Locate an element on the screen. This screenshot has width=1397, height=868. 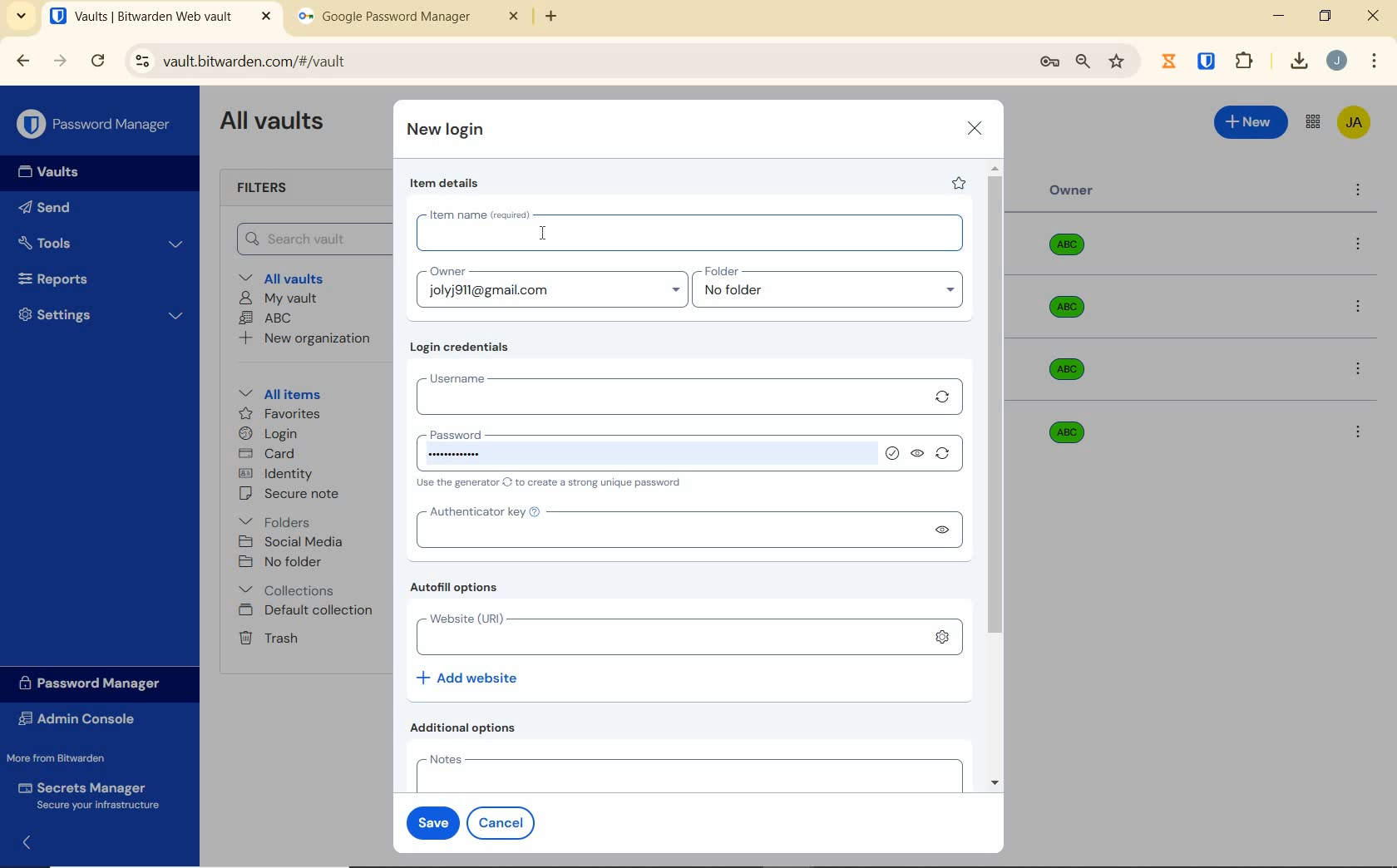
Owner organization is located at coordinates (1070, 315).